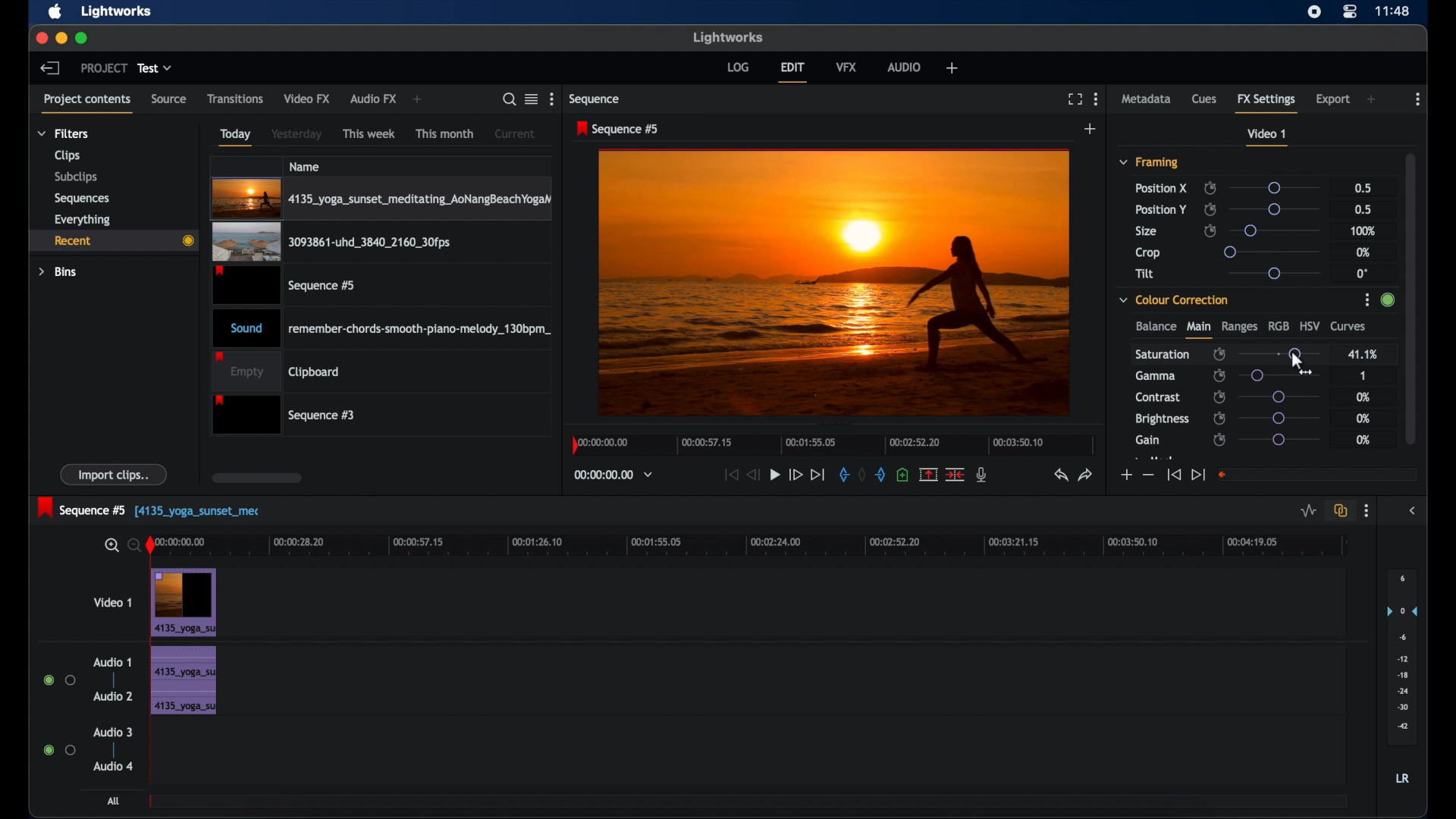  What do you see at coordinates (1155, 327) in the screenshot?
I see `balance` at bounding box center [1155, 327].